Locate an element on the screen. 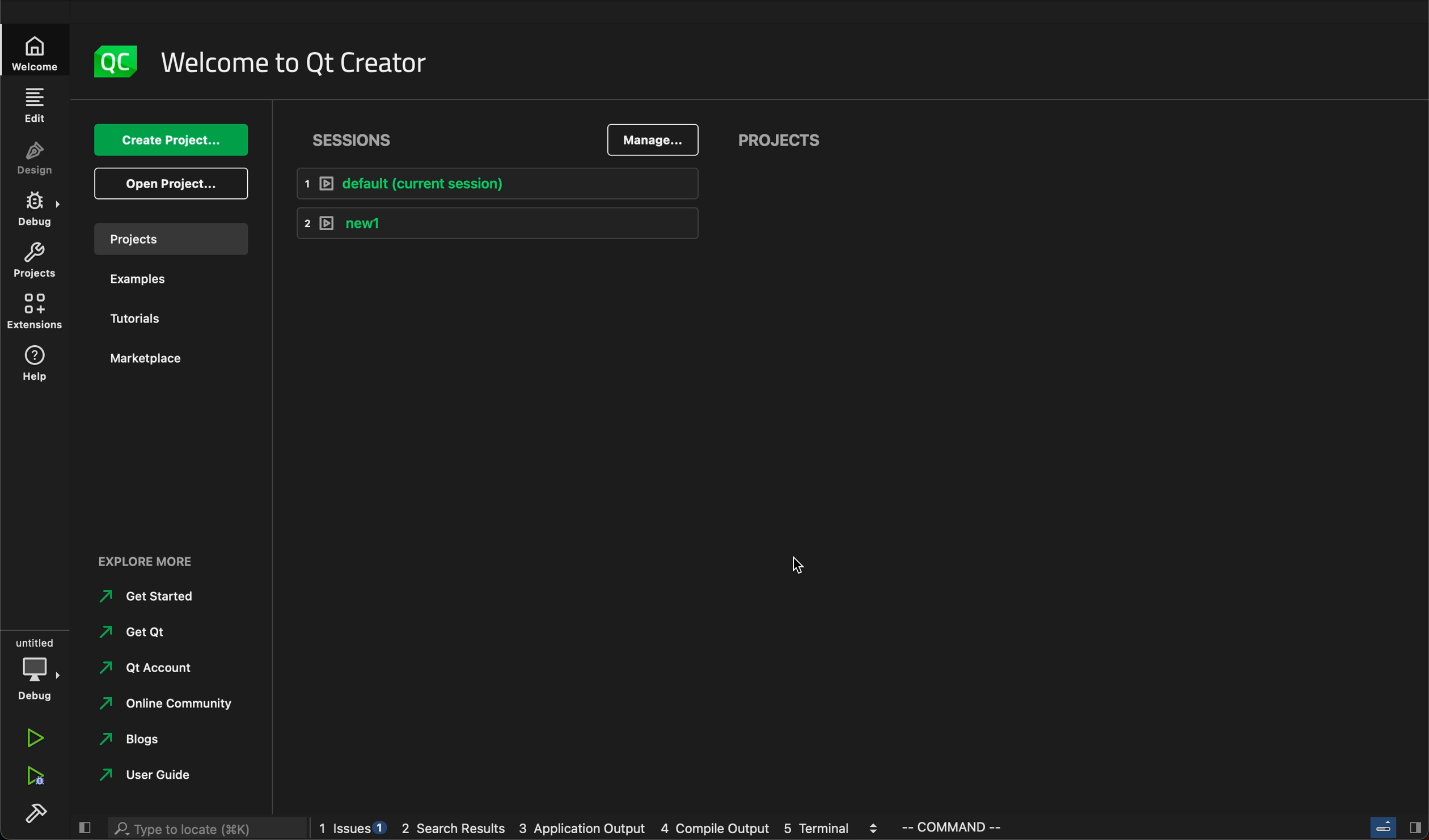 Image resolution: width=1429 pixels, height=840 pixels. community is located at coordinates (177, 704).